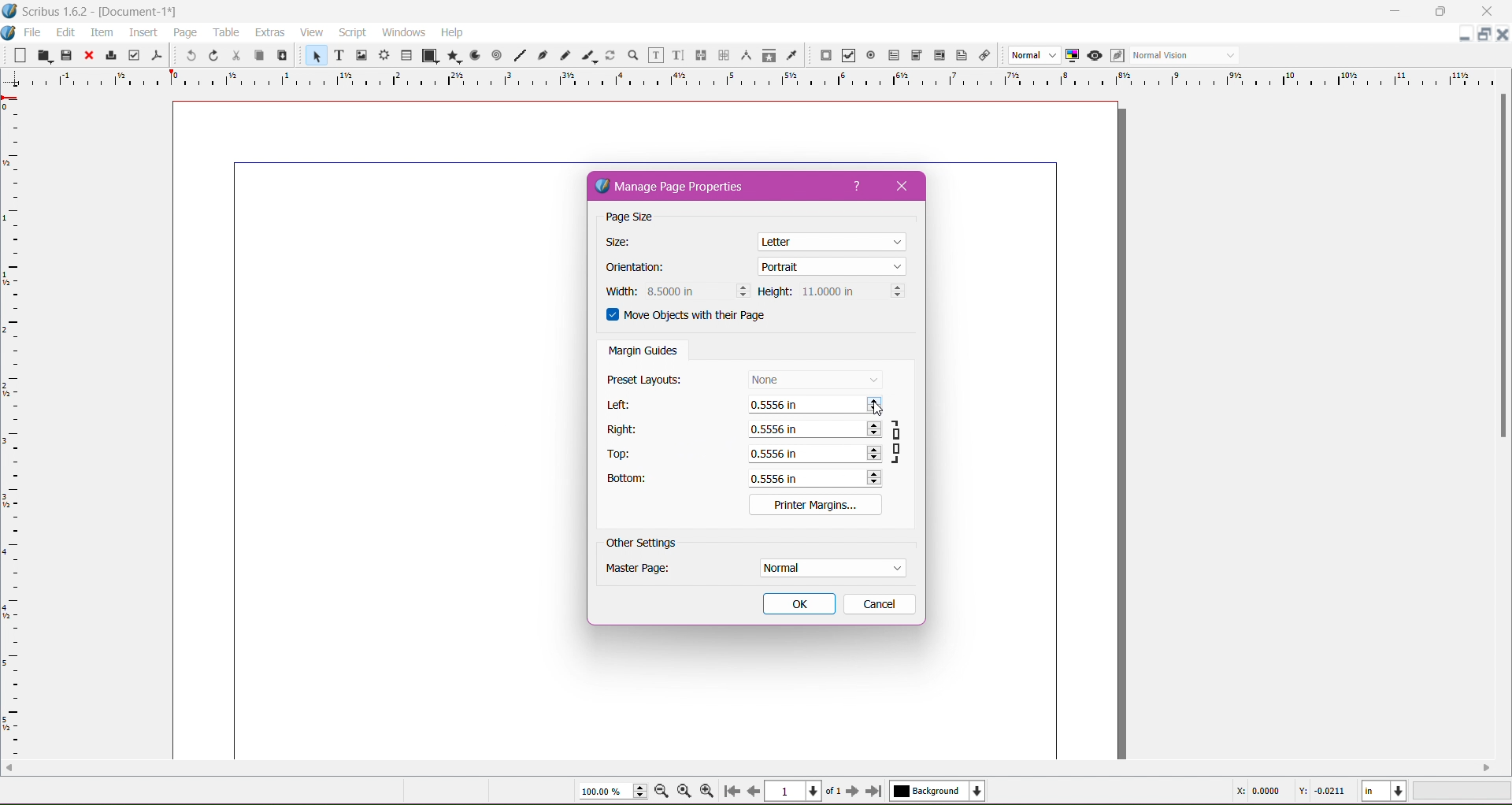 The width and height of the screenshot is (1512, 805). What do you see at coordinates (684, 790) in the screenshot?
I see `Zoom to 100%` at bounding box center [684, 790].